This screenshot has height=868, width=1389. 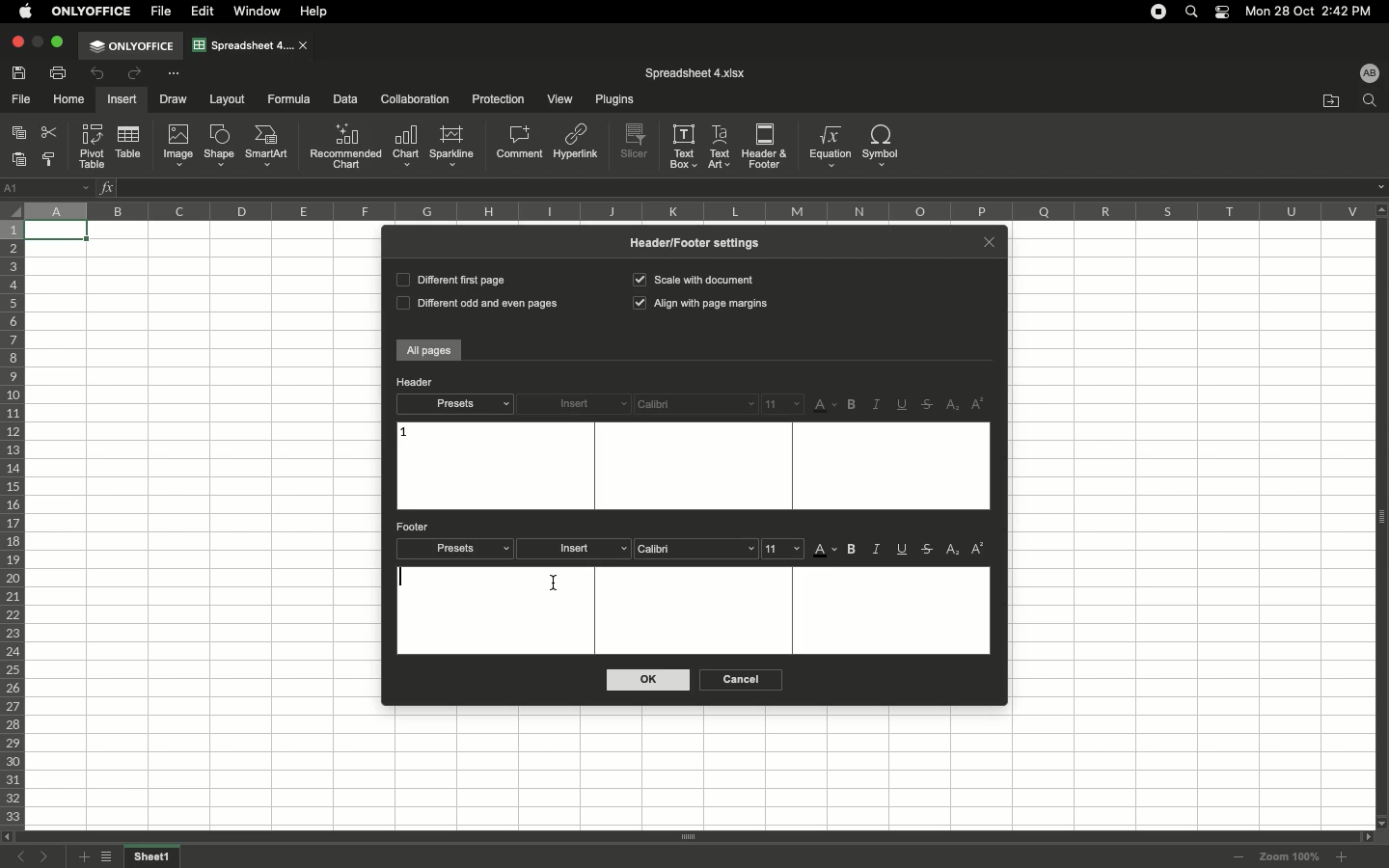 I want to click on Zoom out, so click(x=1239, y=858).